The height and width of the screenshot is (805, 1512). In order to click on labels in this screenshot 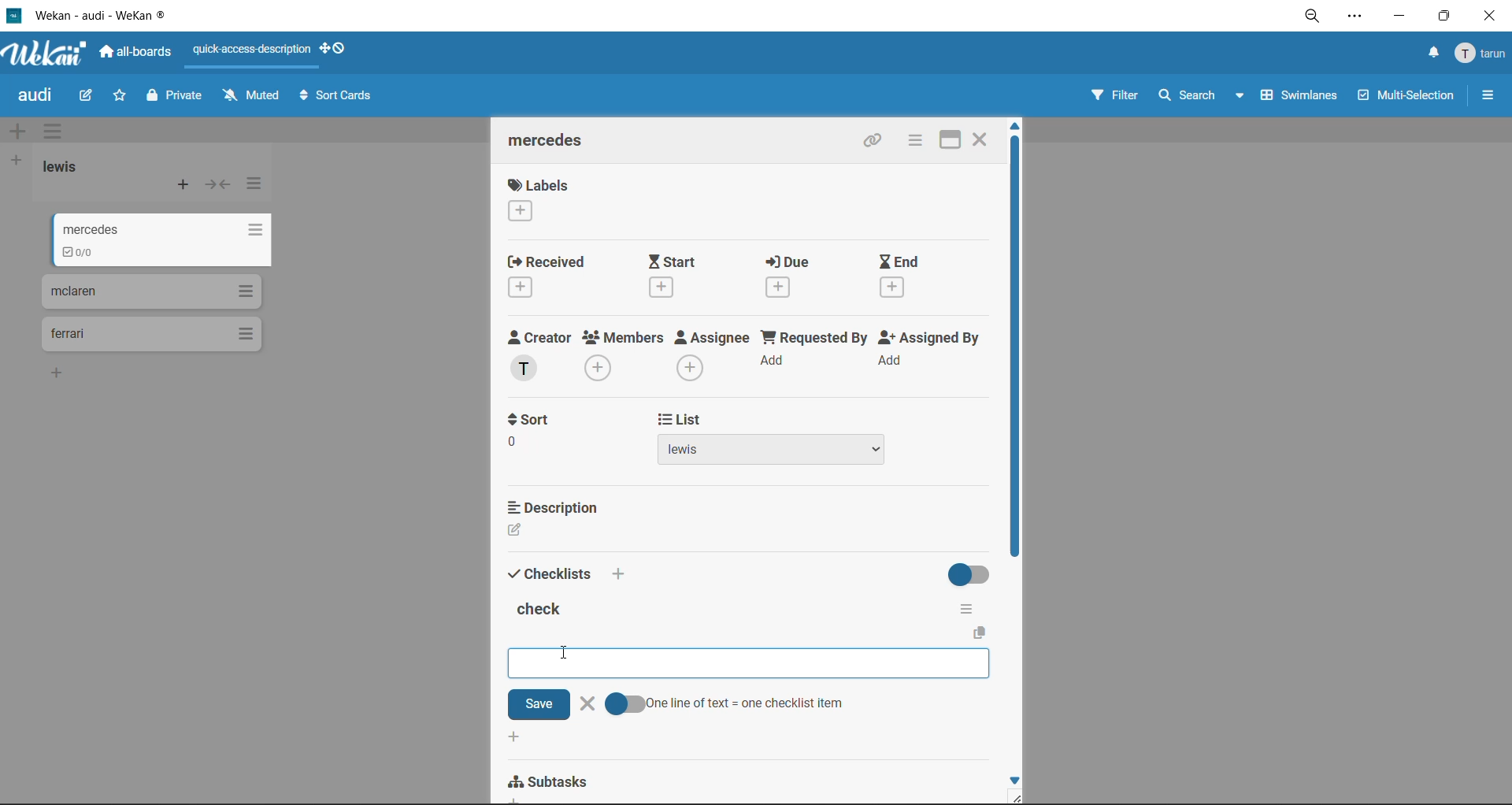, I will do `click(538, 202)`.